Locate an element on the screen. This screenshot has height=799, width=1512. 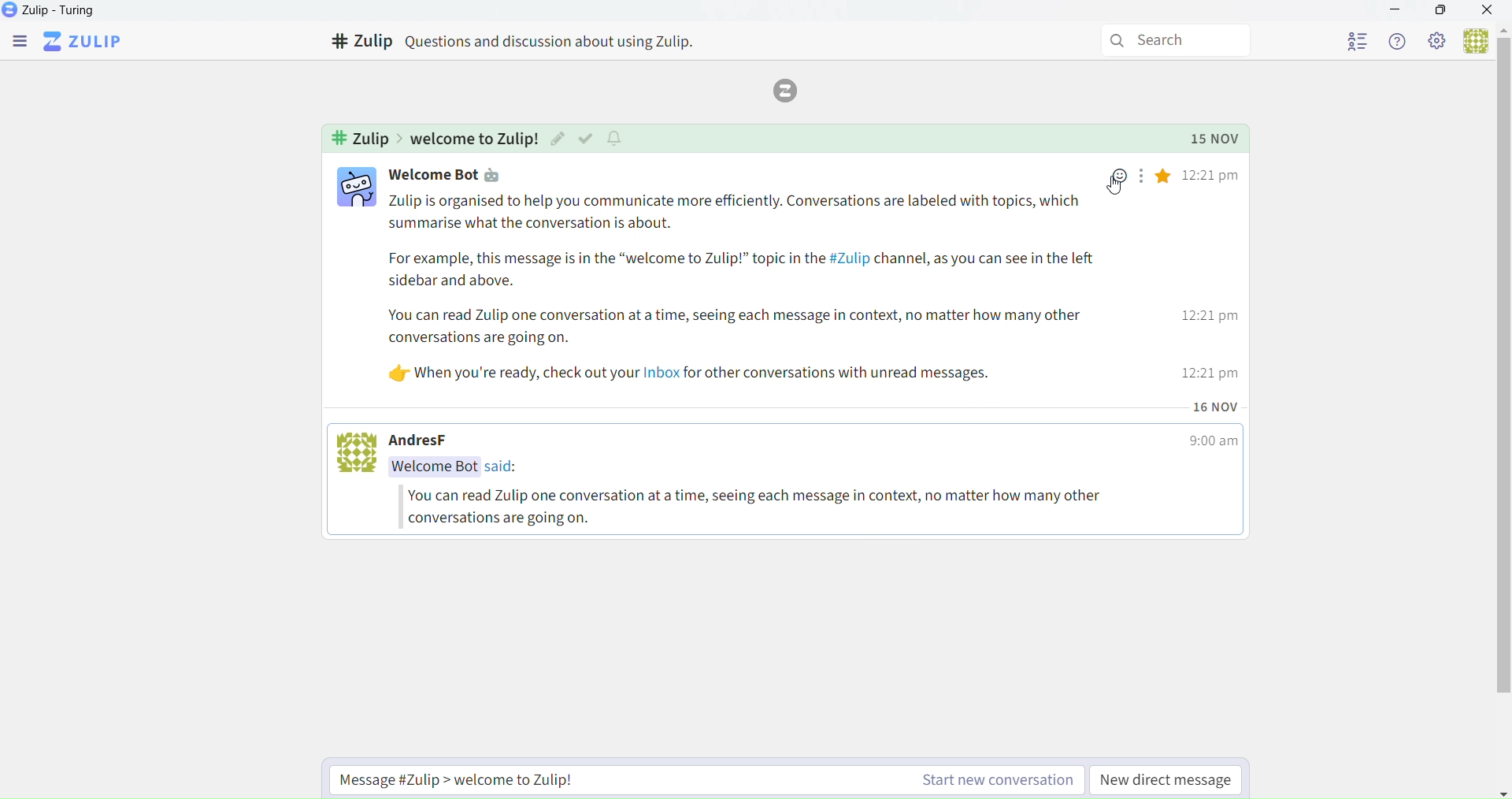
user profile is located at coordinates (355, 189).